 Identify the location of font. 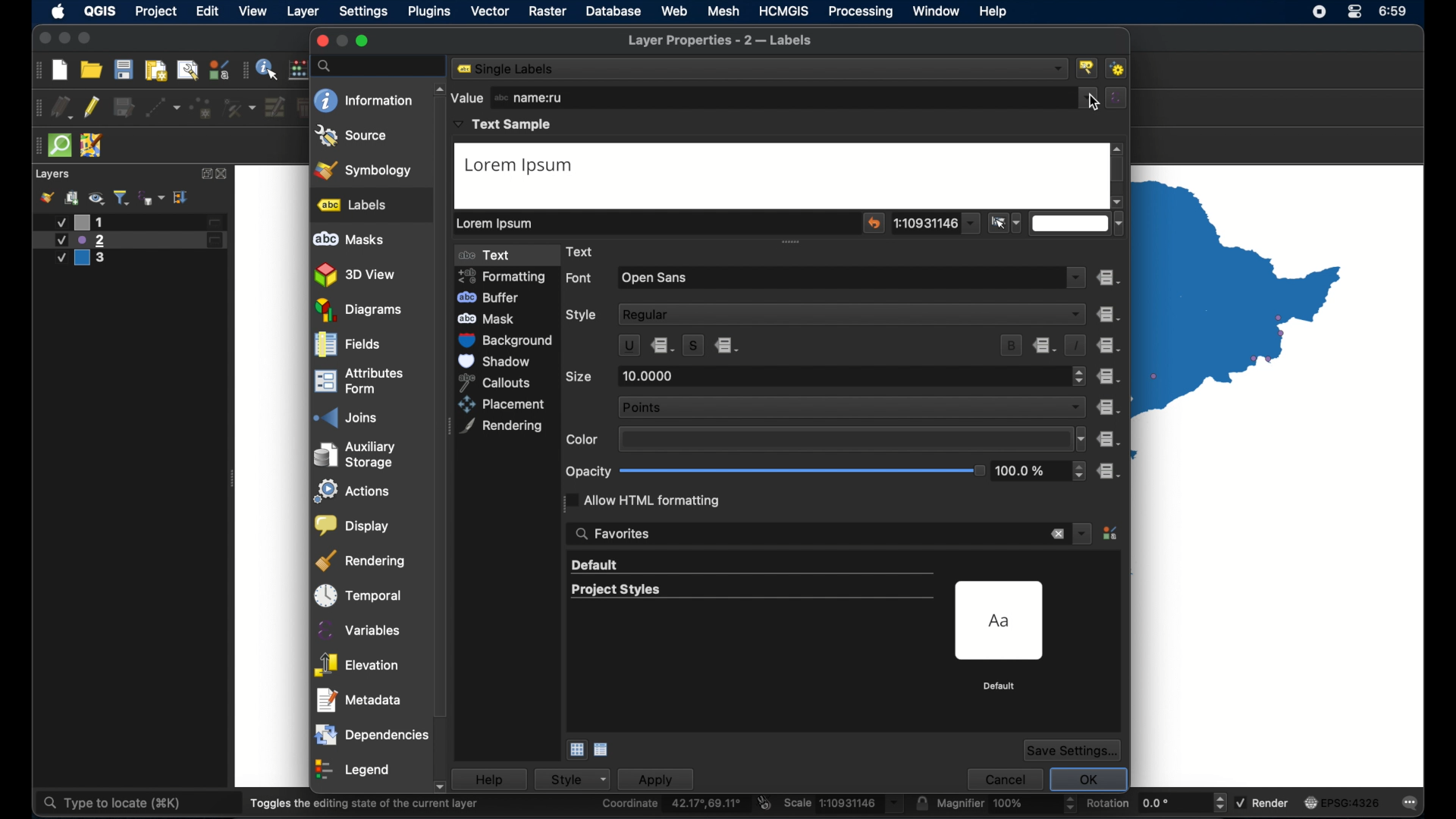
(580, 279).